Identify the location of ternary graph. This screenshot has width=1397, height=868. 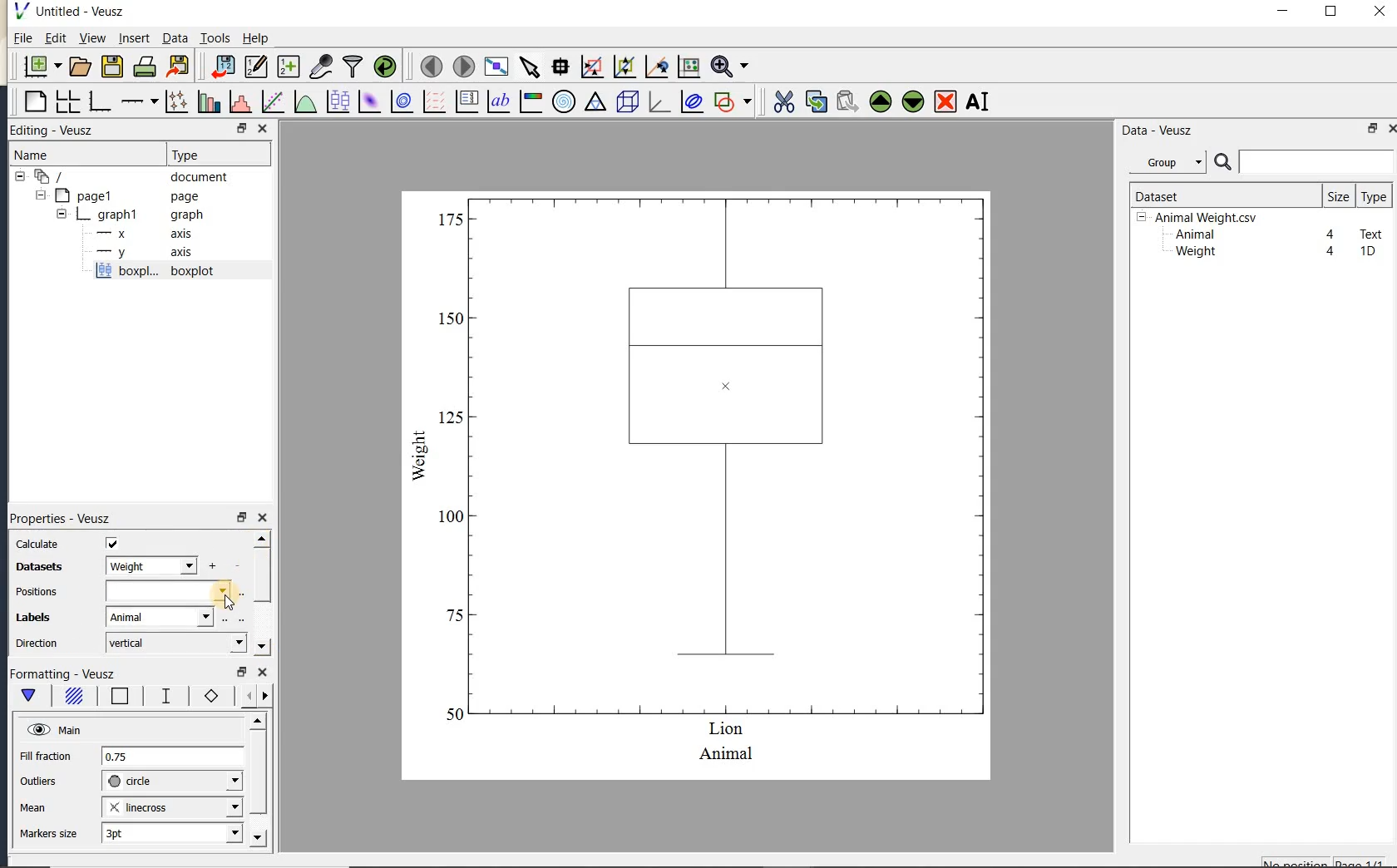
(595, 104).